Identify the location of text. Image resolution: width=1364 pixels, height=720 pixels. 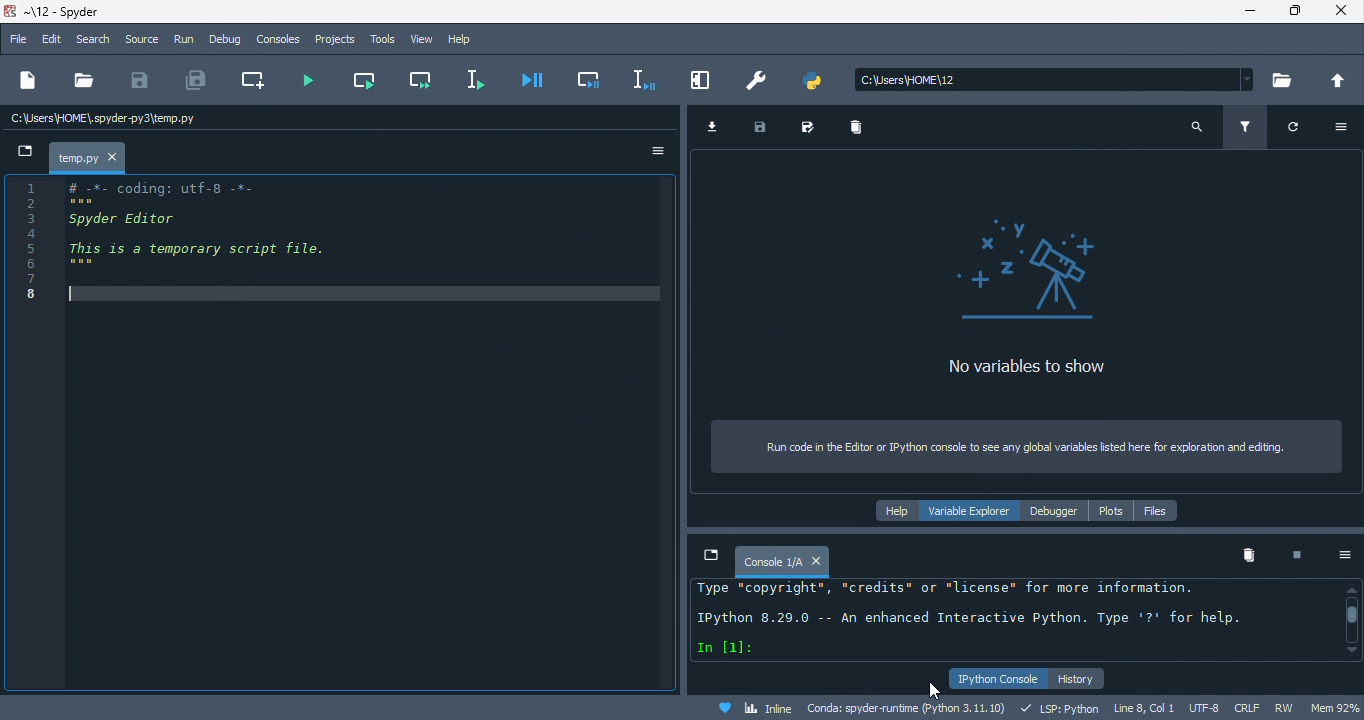
(994, 621).